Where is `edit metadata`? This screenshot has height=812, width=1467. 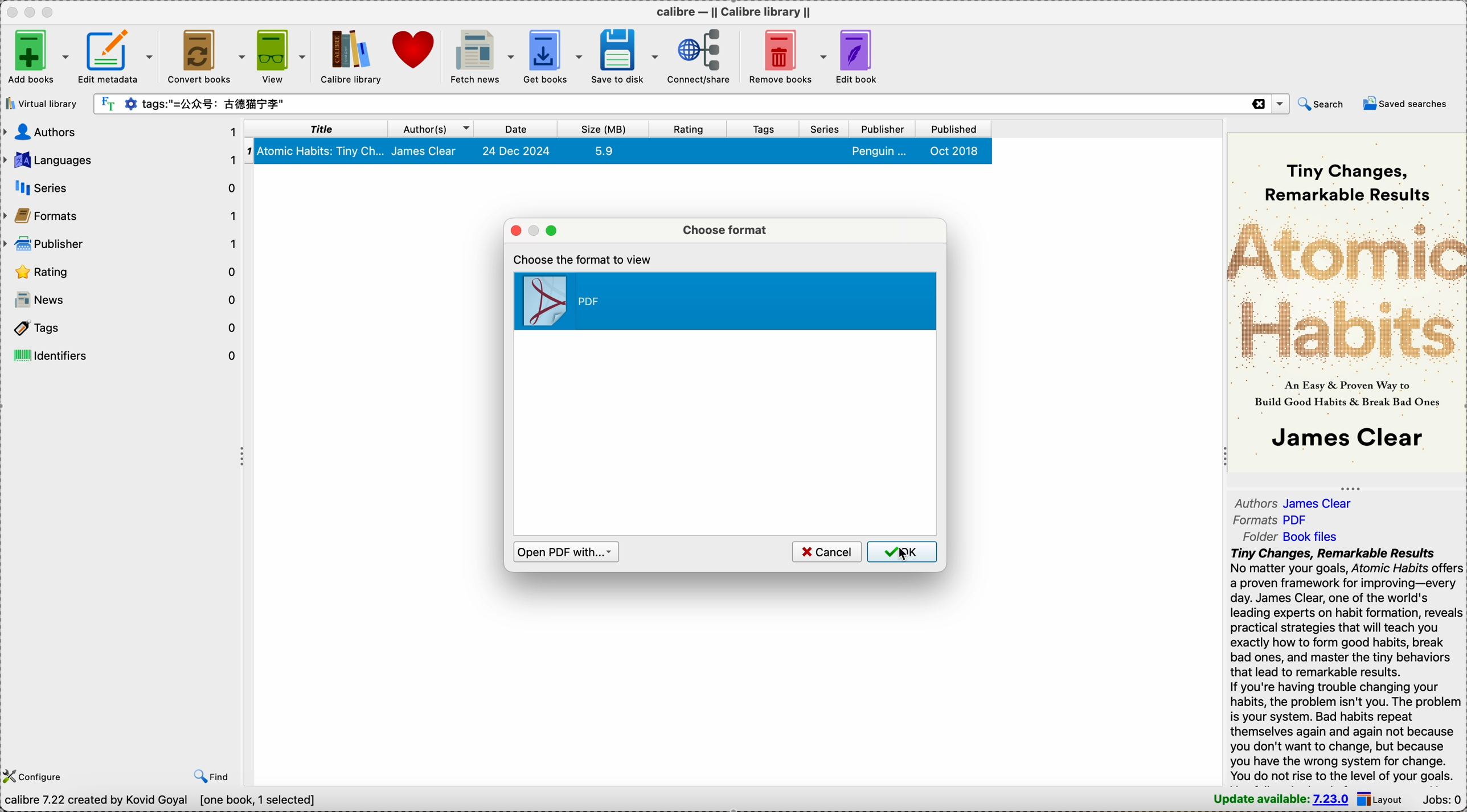
edit metadata is located at coordinates (119, 54).